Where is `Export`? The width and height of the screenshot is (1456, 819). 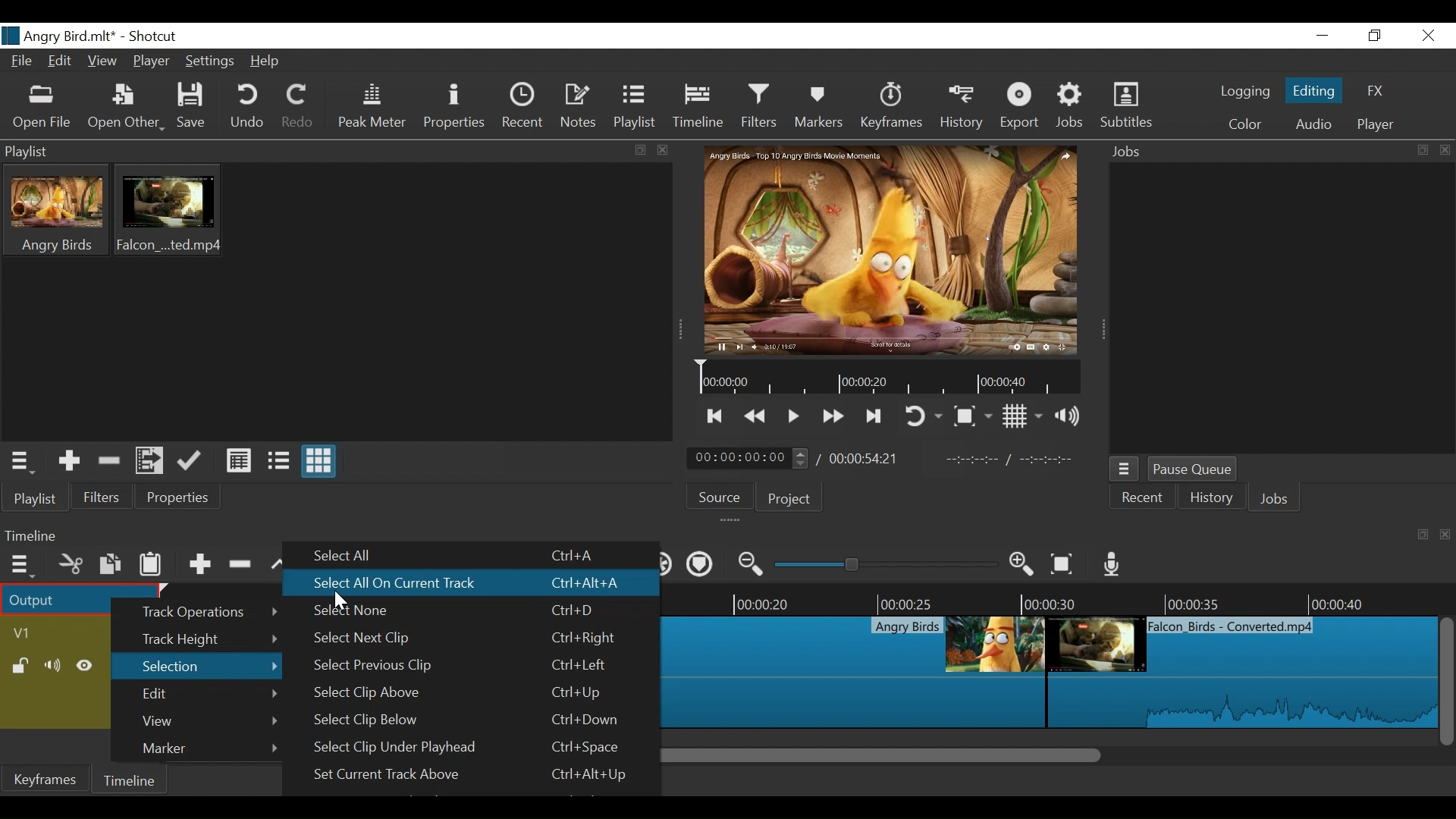
Export is located at coordinates (1020, 108).